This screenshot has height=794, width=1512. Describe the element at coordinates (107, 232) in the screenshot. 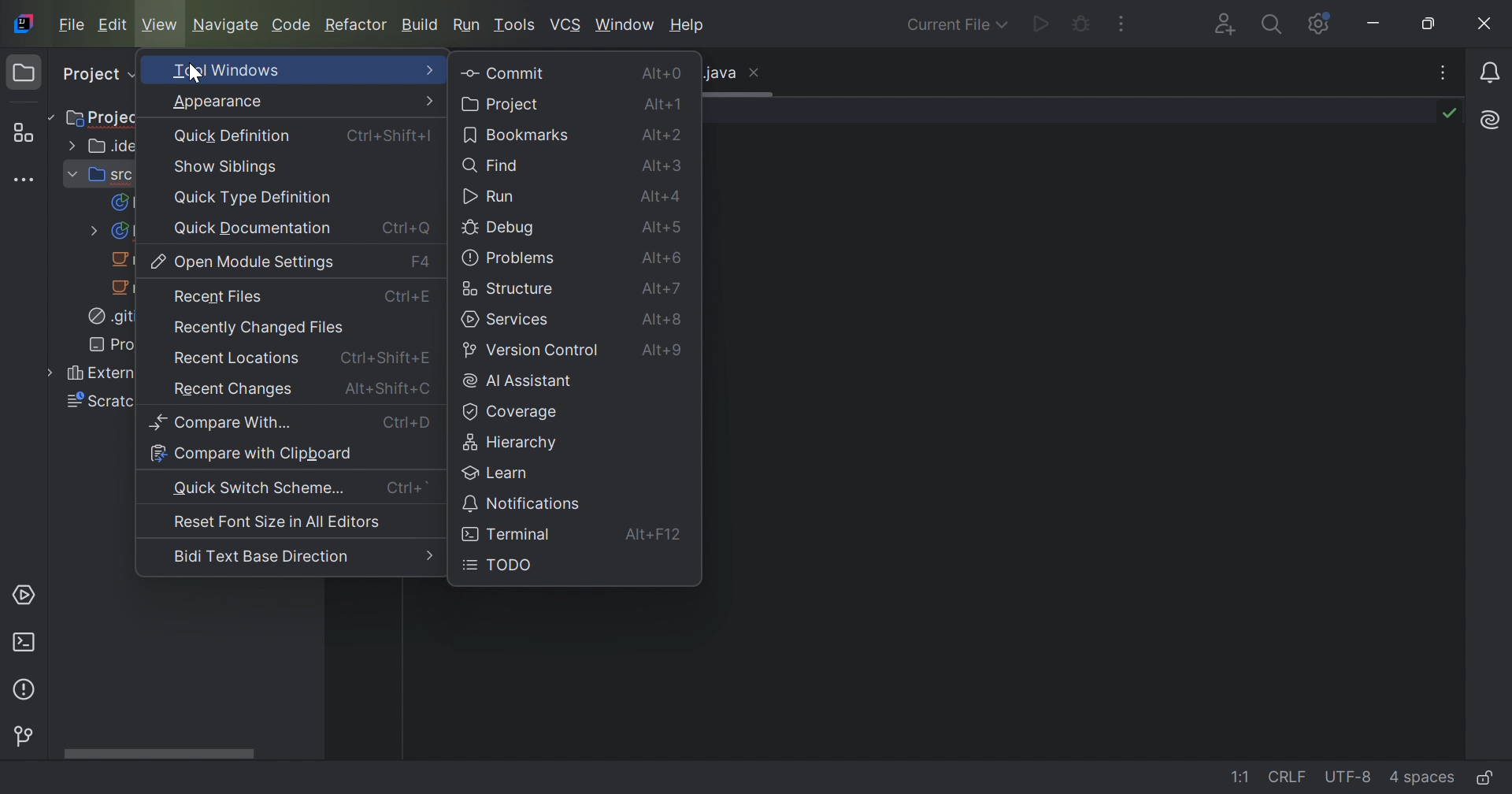

I see `Main1.java` at that location.